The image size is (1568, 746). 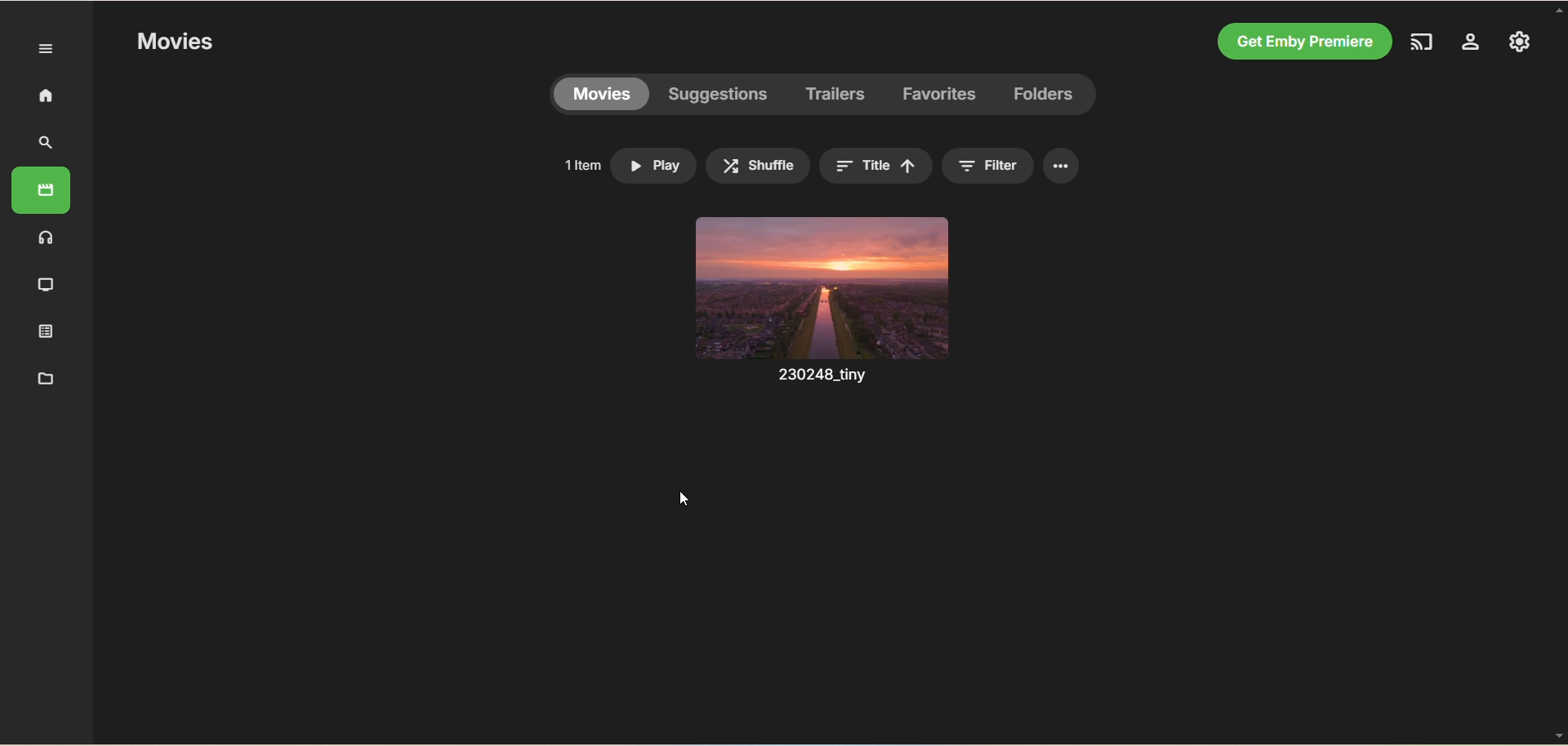 What do you see at coordinates (579, 162) in the screenshot?
I see `1 item` at bounding box center [579, 162].